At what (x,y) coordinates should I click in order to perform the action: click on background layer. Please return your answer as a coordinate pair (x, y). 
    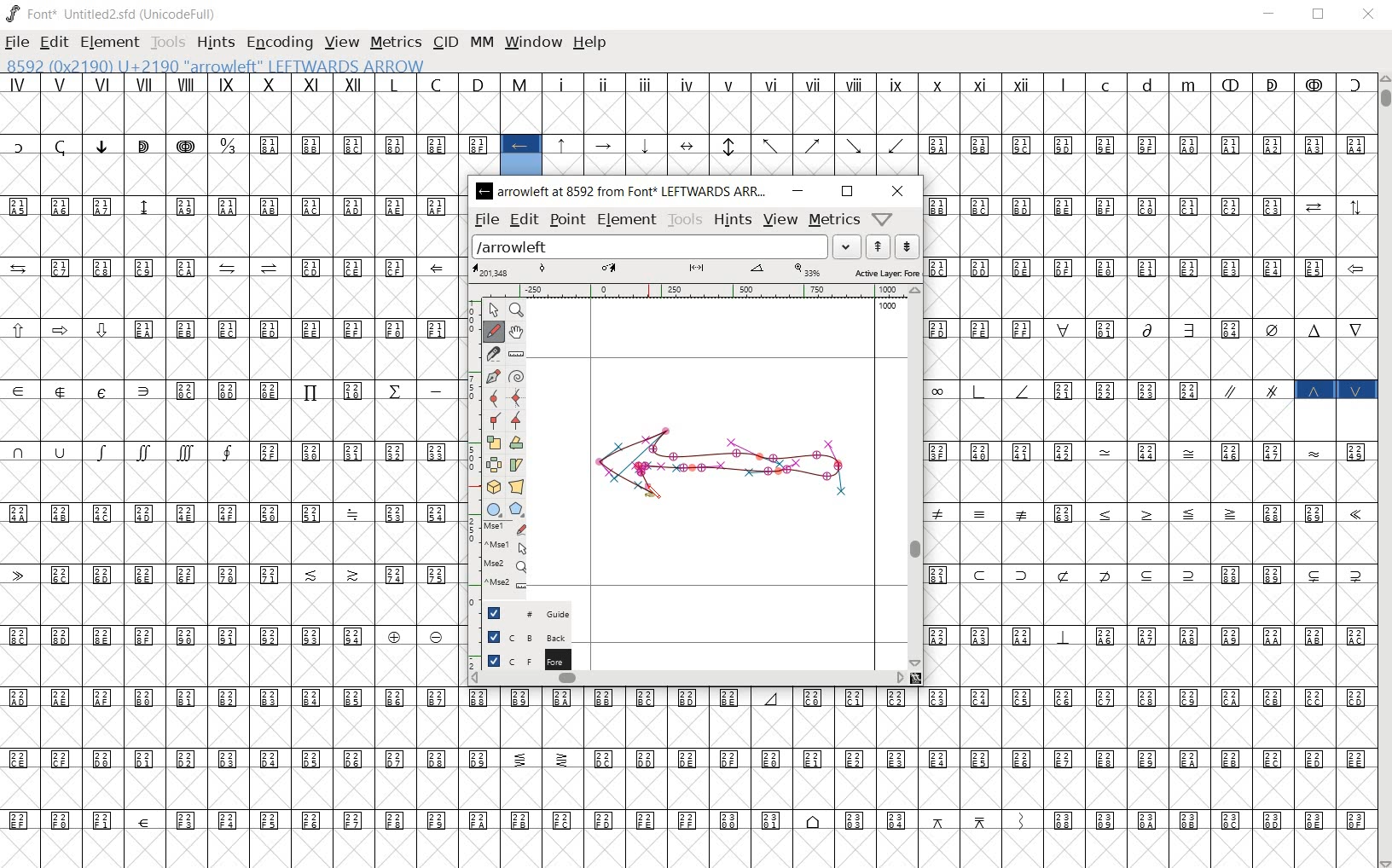
    Looking at the image, I should click on (522, 637).